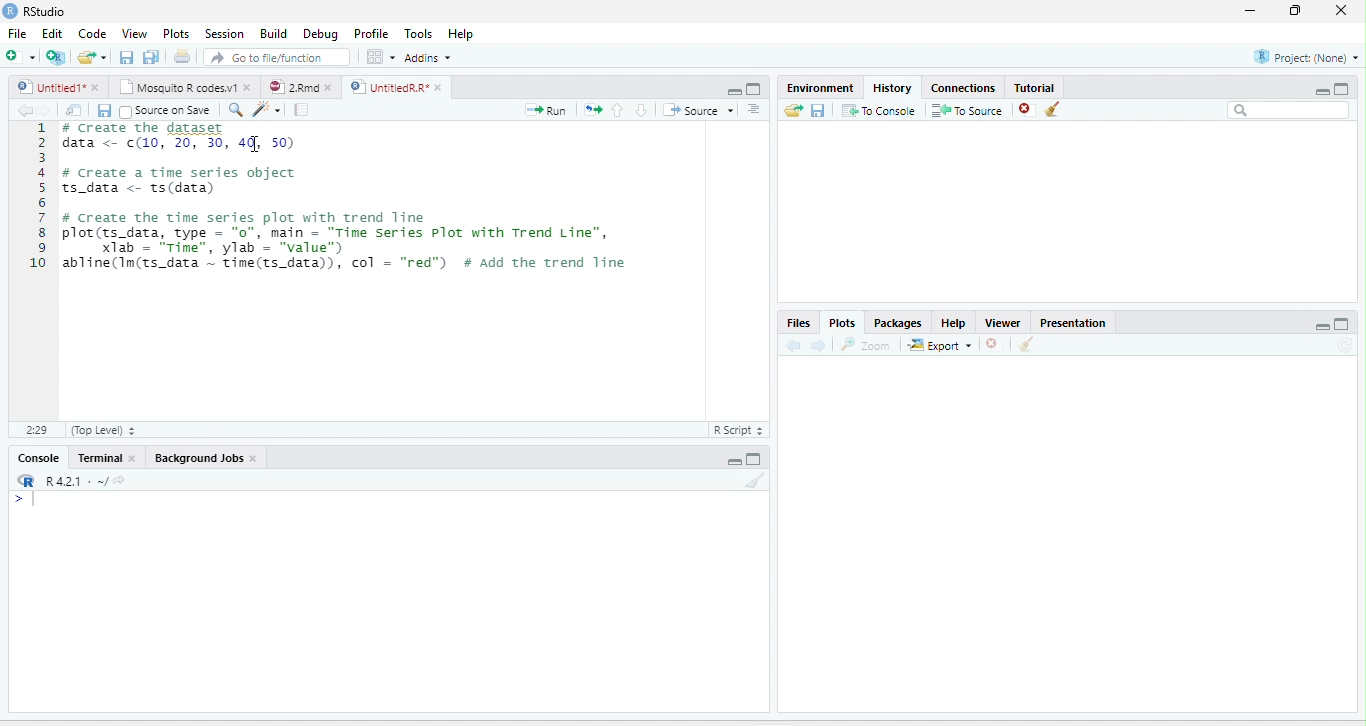 This screenshot has width=1366, height=726. I want to click on Tools, so click(417, 33).